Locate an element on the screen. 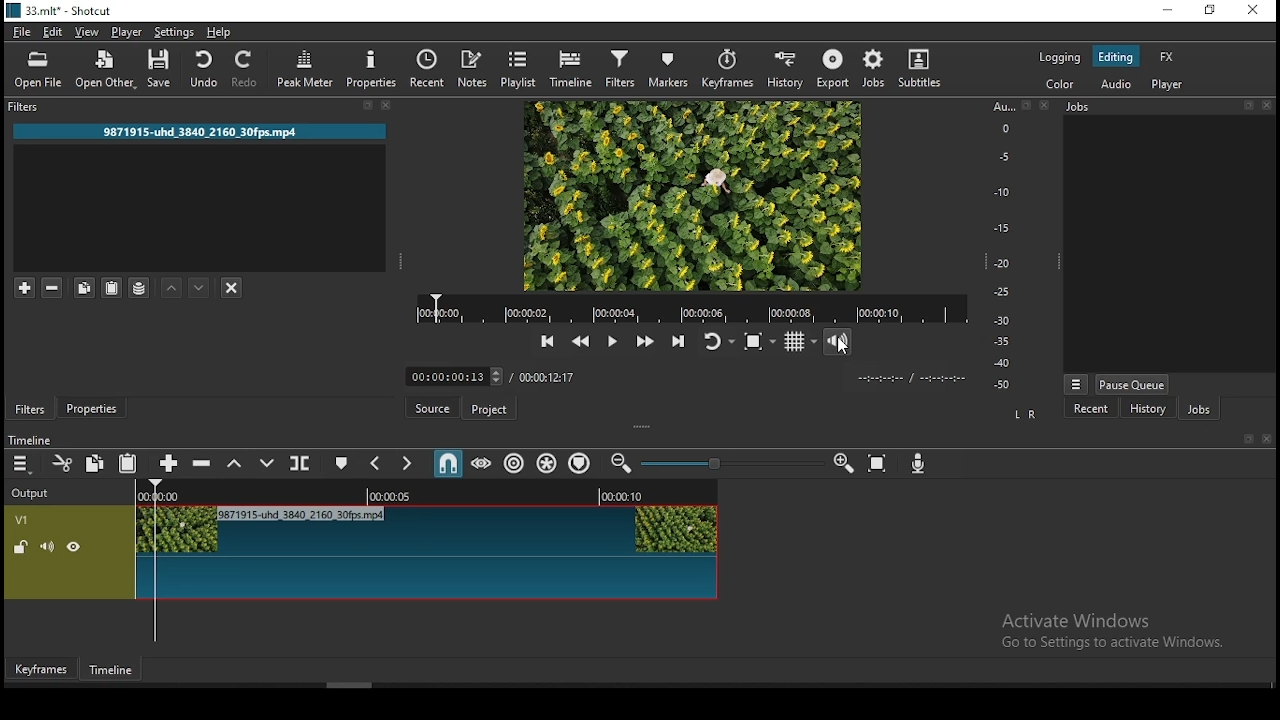  toggle zoom is located at coordinates (758, 344).